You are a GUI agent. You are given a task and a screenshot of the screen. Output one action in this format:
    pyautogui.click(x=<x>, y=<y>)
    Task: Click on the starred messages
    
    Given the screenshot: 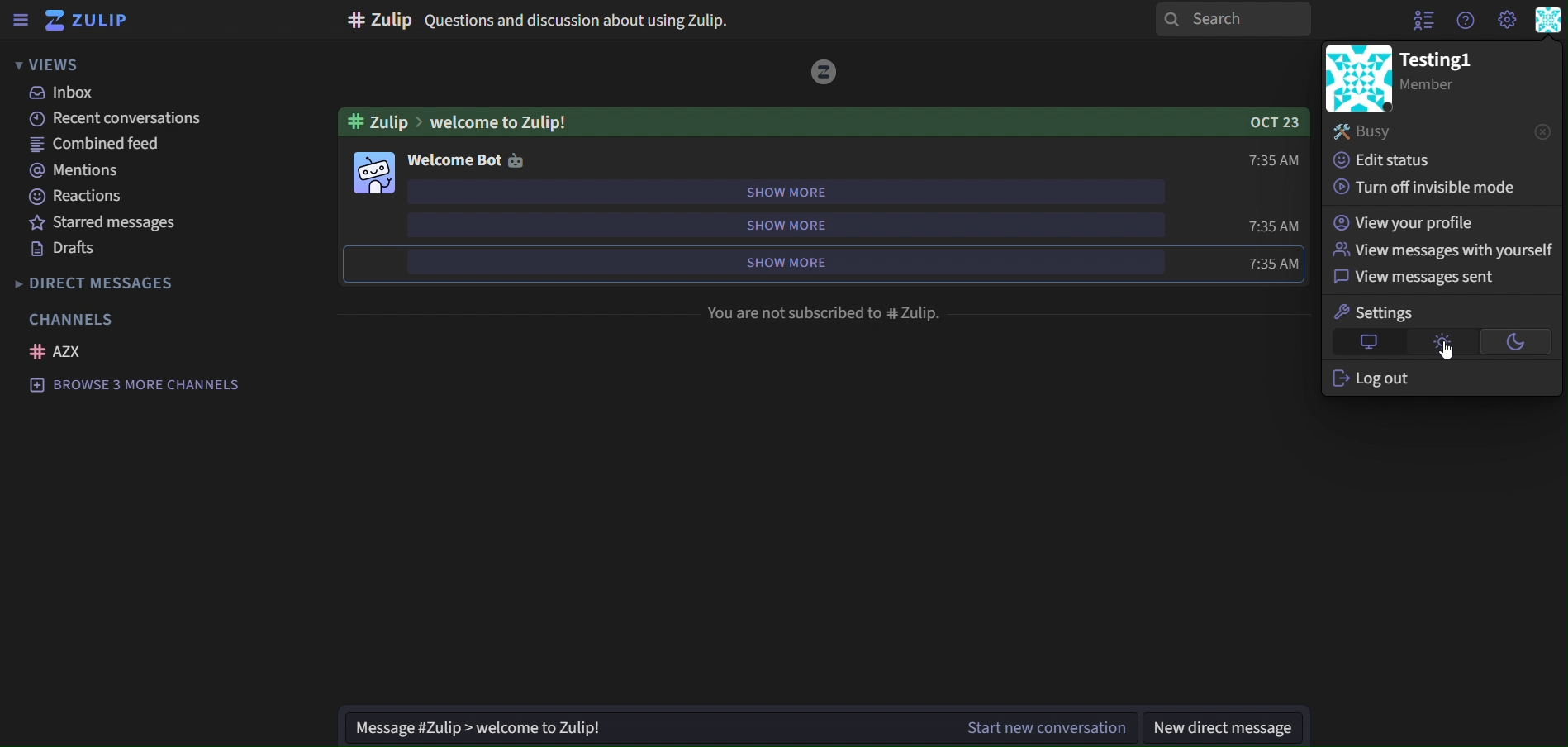 What is the action you would take?
    pyautogui.click(x=107, y=224)
    